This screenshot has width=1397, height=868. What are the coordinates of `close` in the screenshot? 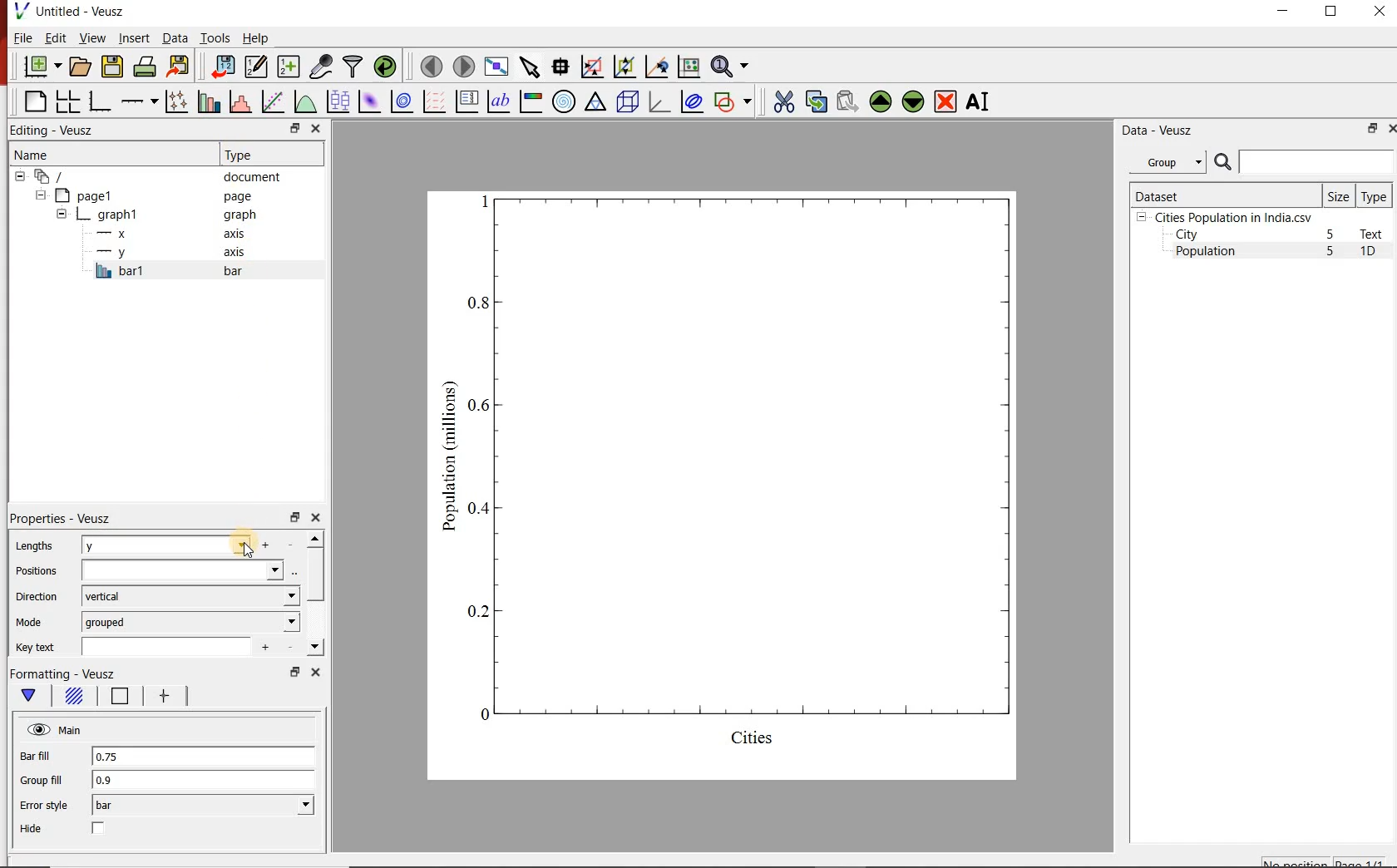 It's located at (313, 672).